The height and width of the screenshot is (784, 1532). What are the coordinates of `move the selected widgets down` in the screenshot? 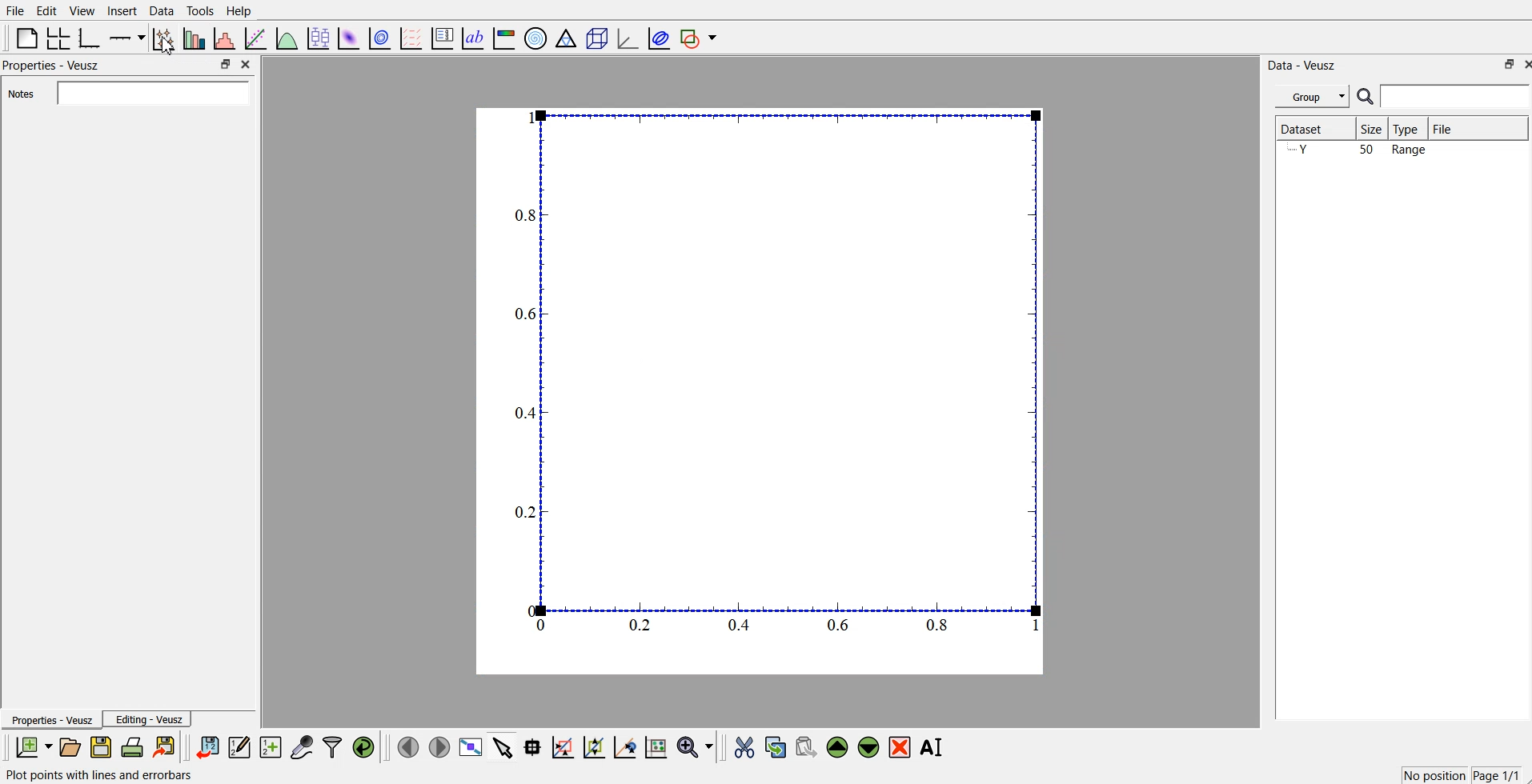 It's located at (868, 747).